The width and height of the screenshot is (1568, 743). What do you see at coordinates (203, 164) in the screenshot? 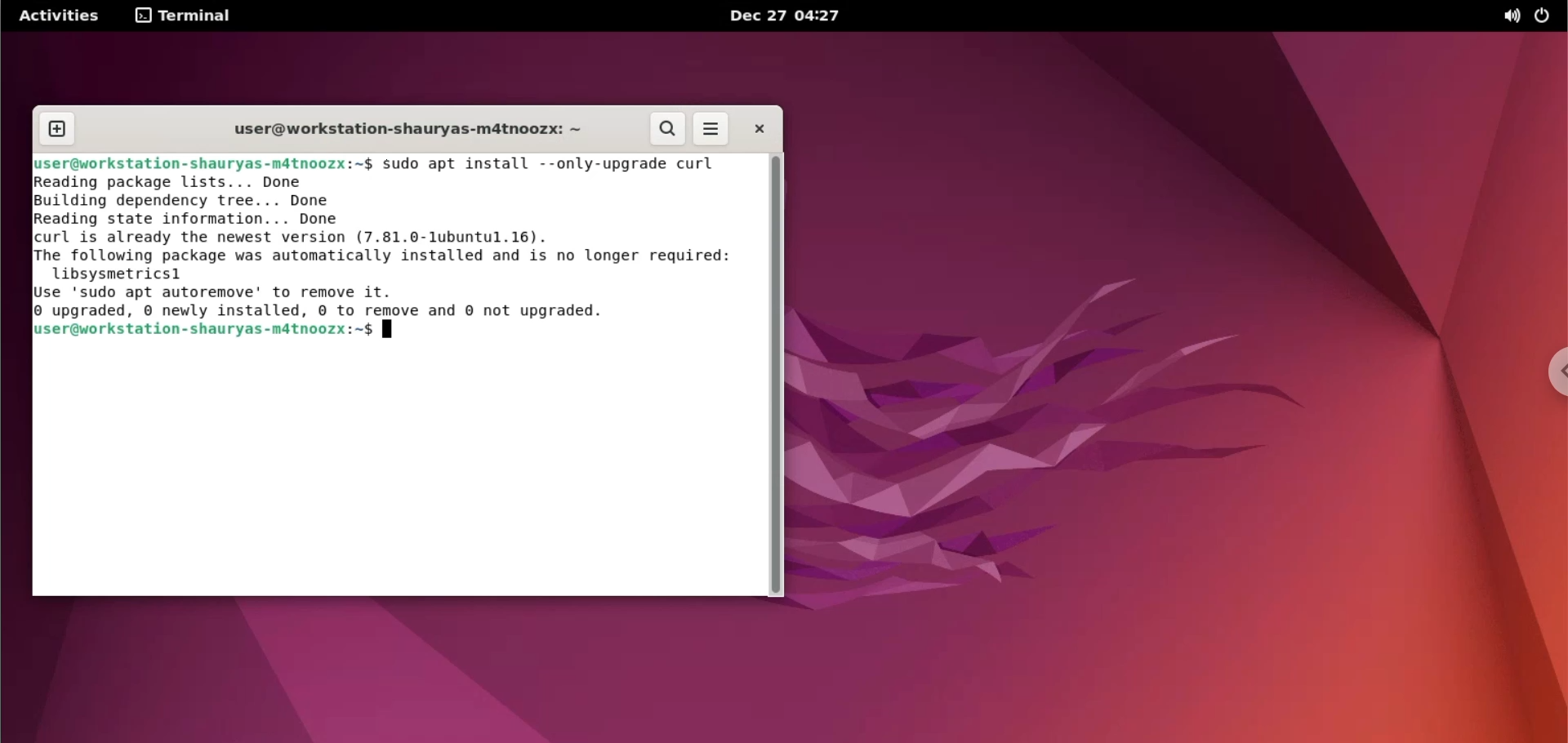
I see `user@workstation-shauryas-m4tnoozx:-$` at bounding box center [203, 164].